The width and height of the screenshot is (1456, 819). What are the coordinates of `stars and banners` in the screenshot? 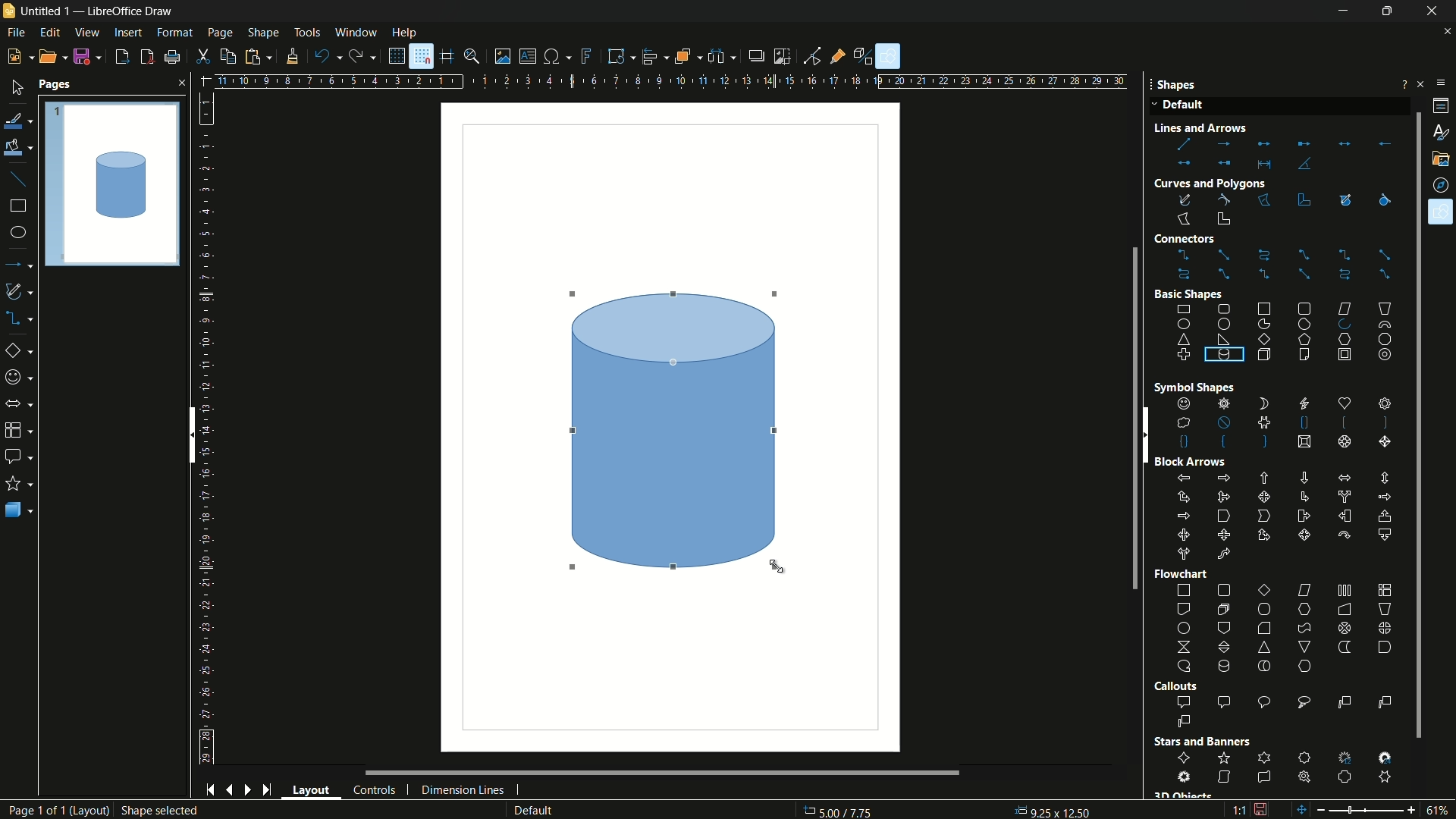 It's located at (1289, 767).